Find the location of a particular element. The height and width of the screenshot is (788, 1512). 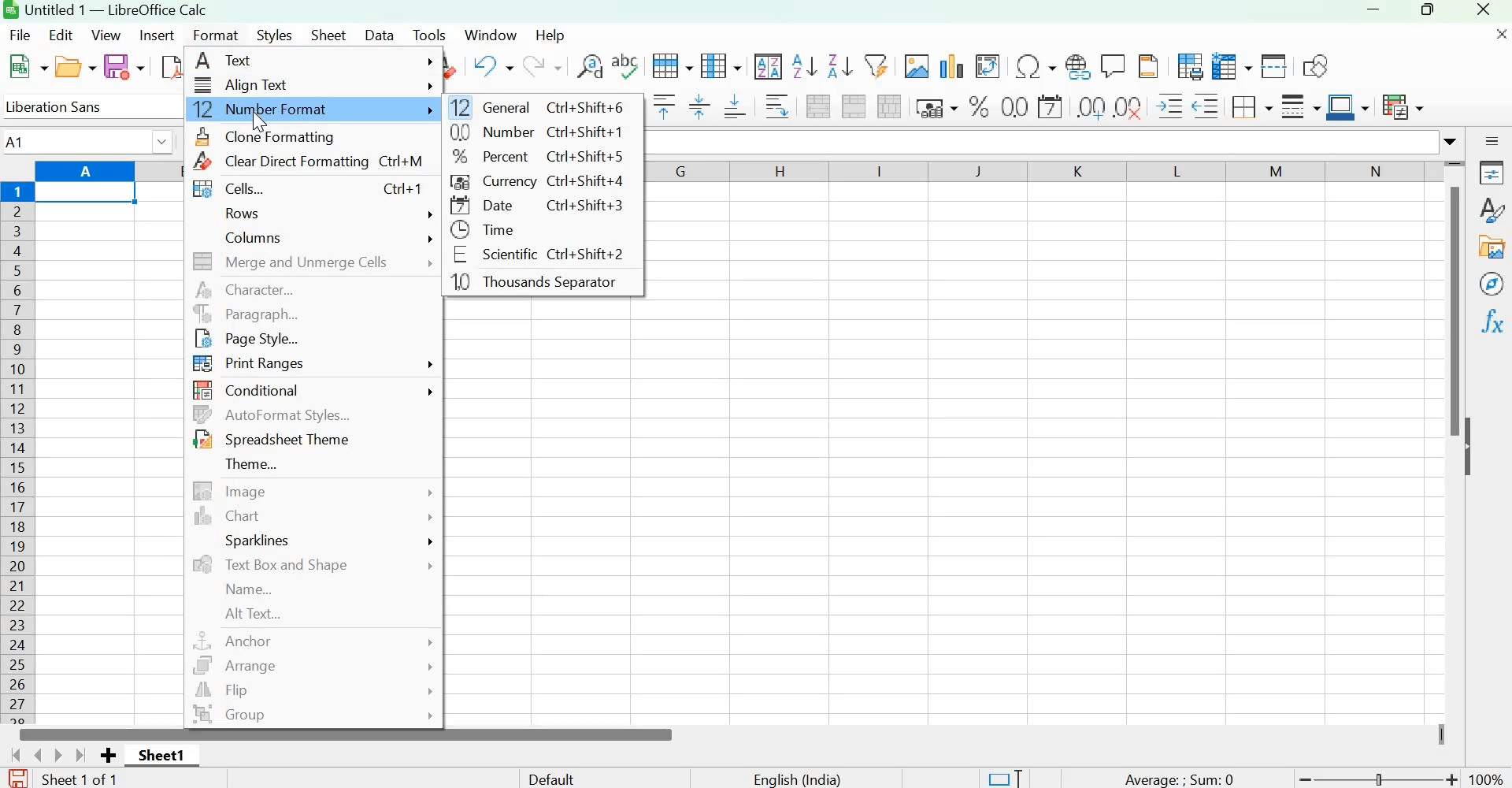

Define print area is located at coordinates (1187, 66).